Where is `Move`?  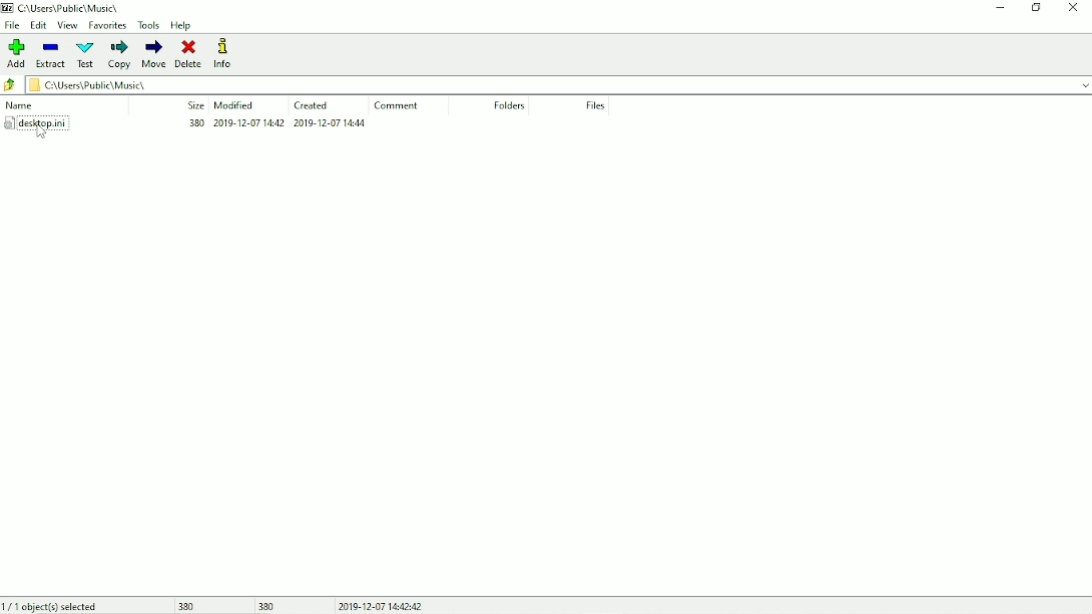 Move is located at coordinates (155, 54).